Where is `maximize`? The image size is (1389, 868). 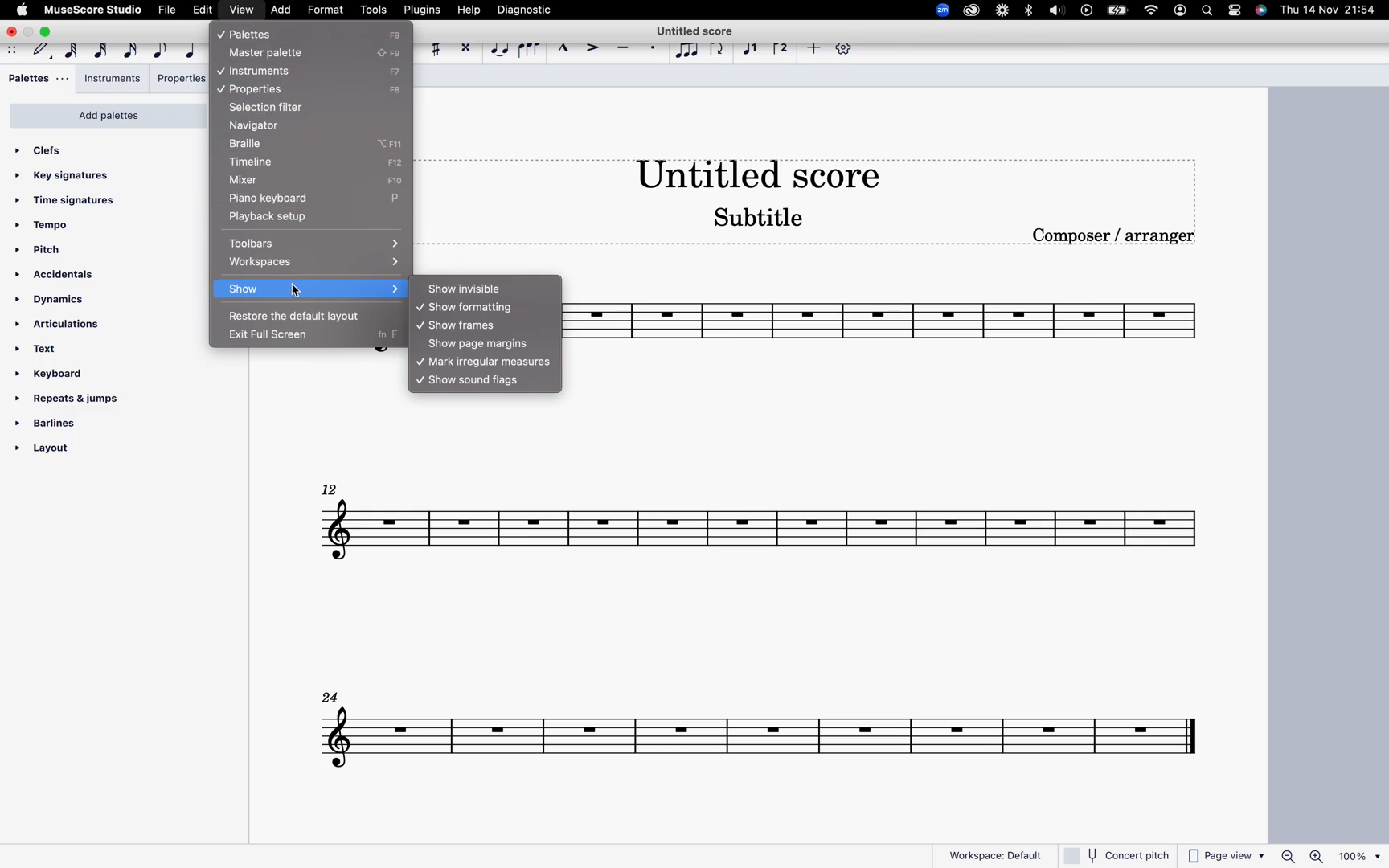 maximize is located at coordinates (47, 32).